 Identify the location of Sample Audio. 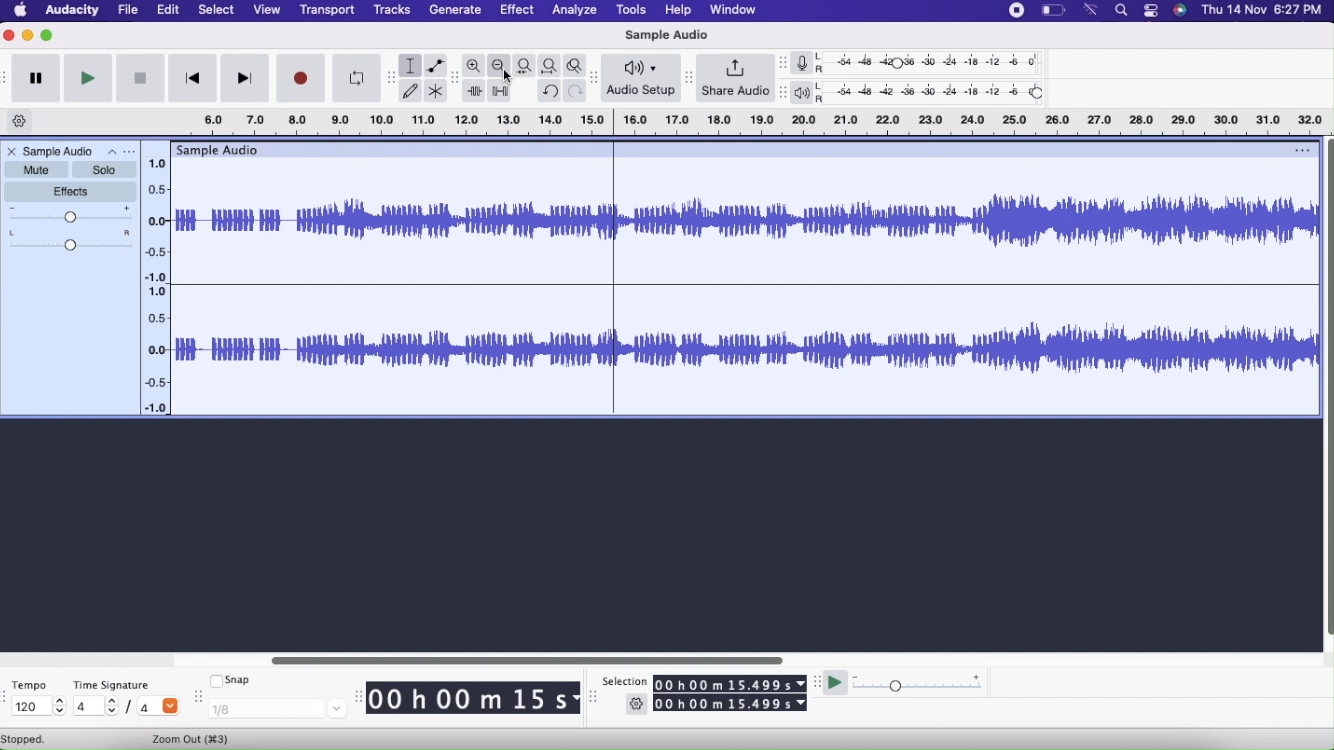
(664, 36).